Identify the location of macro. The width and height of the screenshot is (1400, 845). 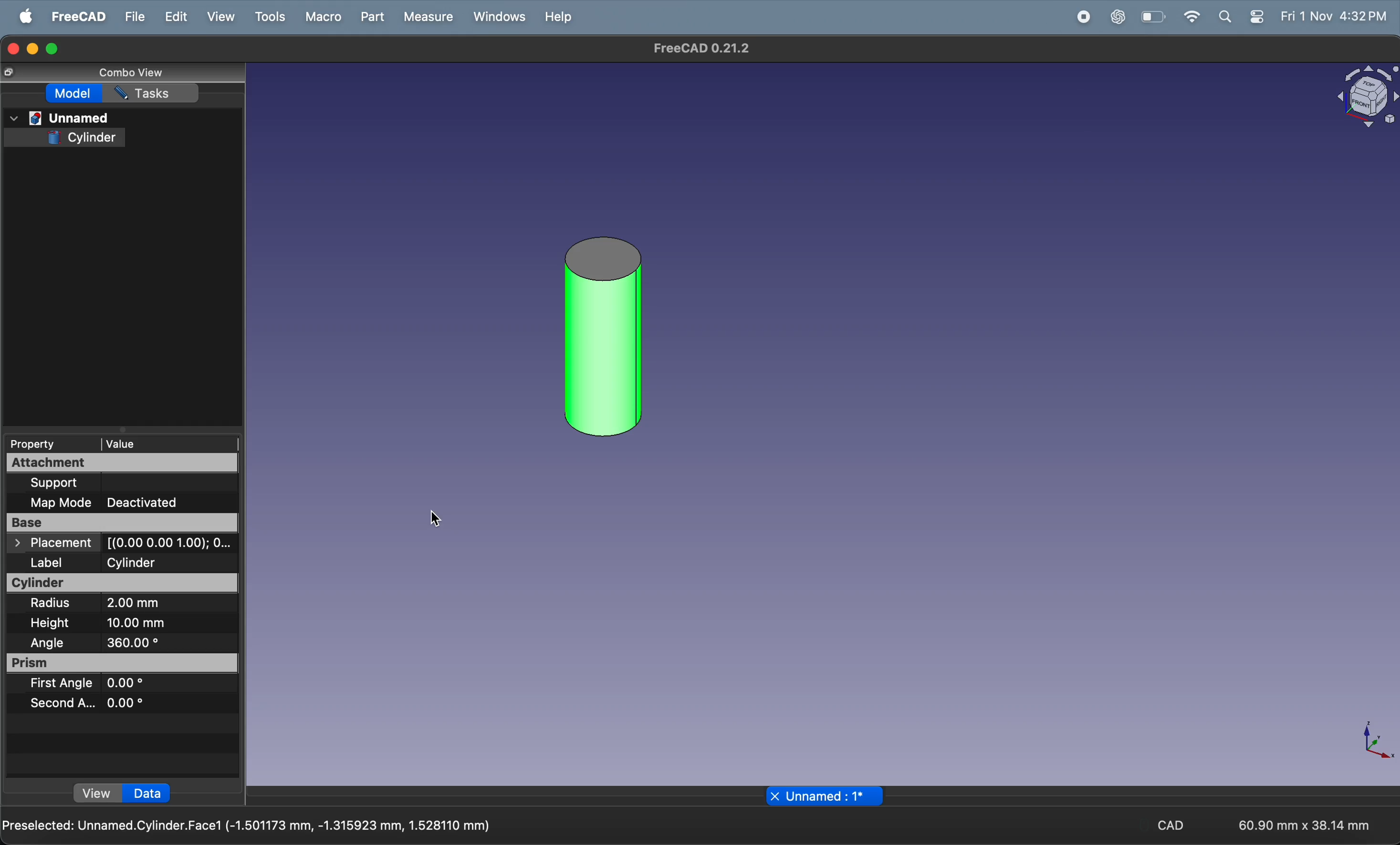
(323, 18).